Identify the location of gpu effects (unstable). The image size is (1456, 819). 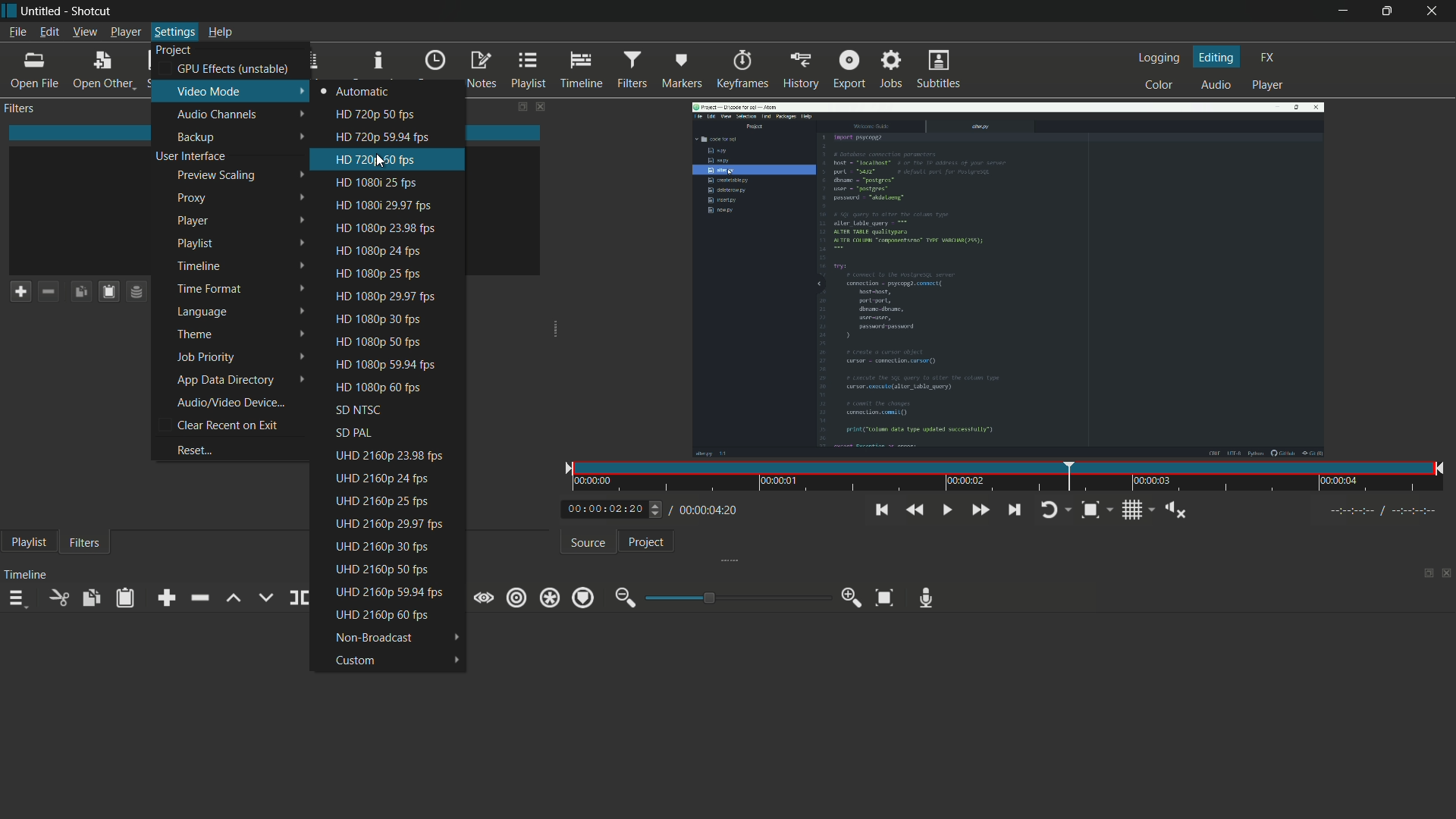
(234, 70).